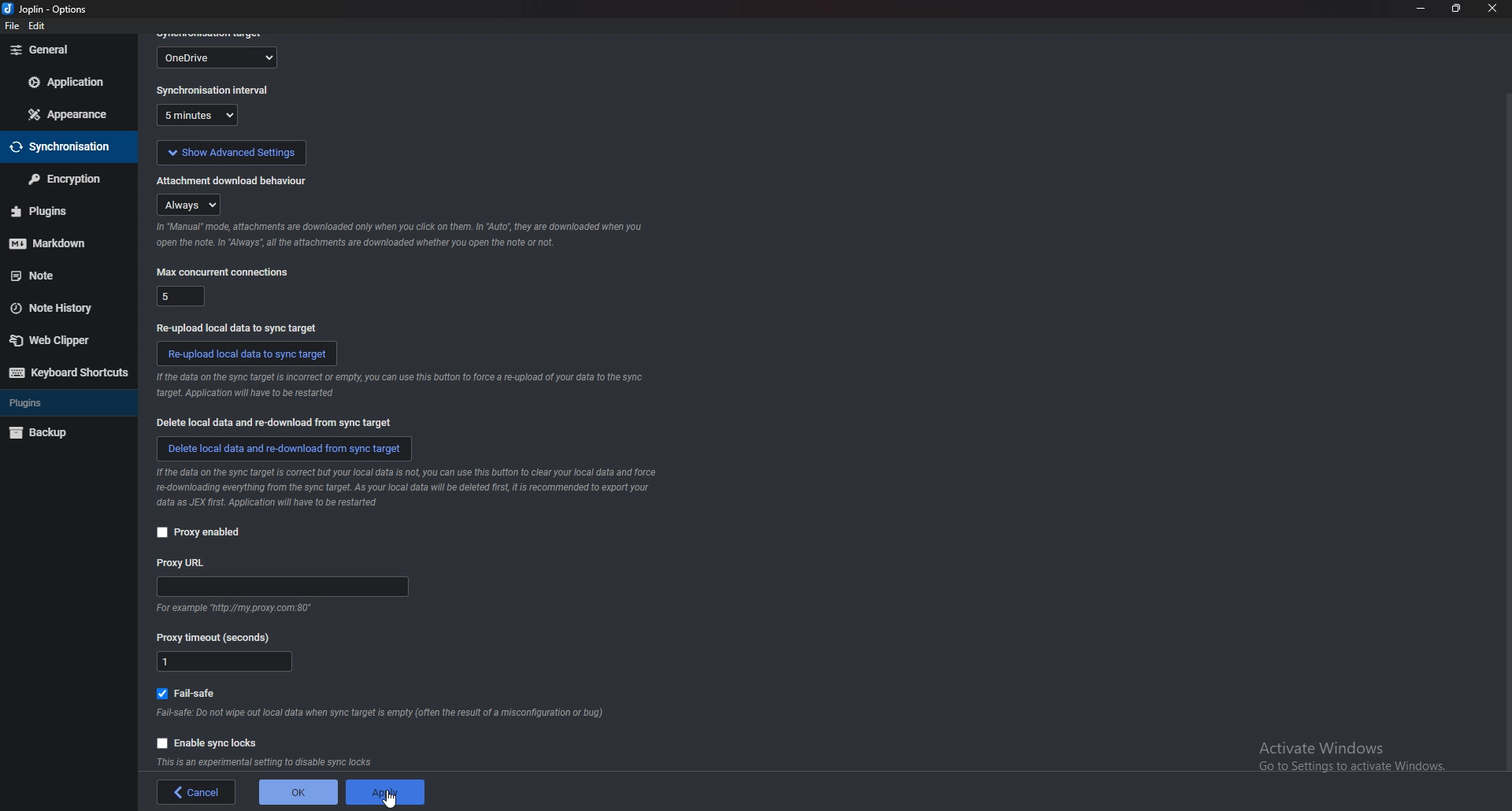 Image resolution: width=1512 pixels, height=811 pixels. Describe the element at coordinates (225, 663) in the screenshot. I see `proxy timeout` at that location.